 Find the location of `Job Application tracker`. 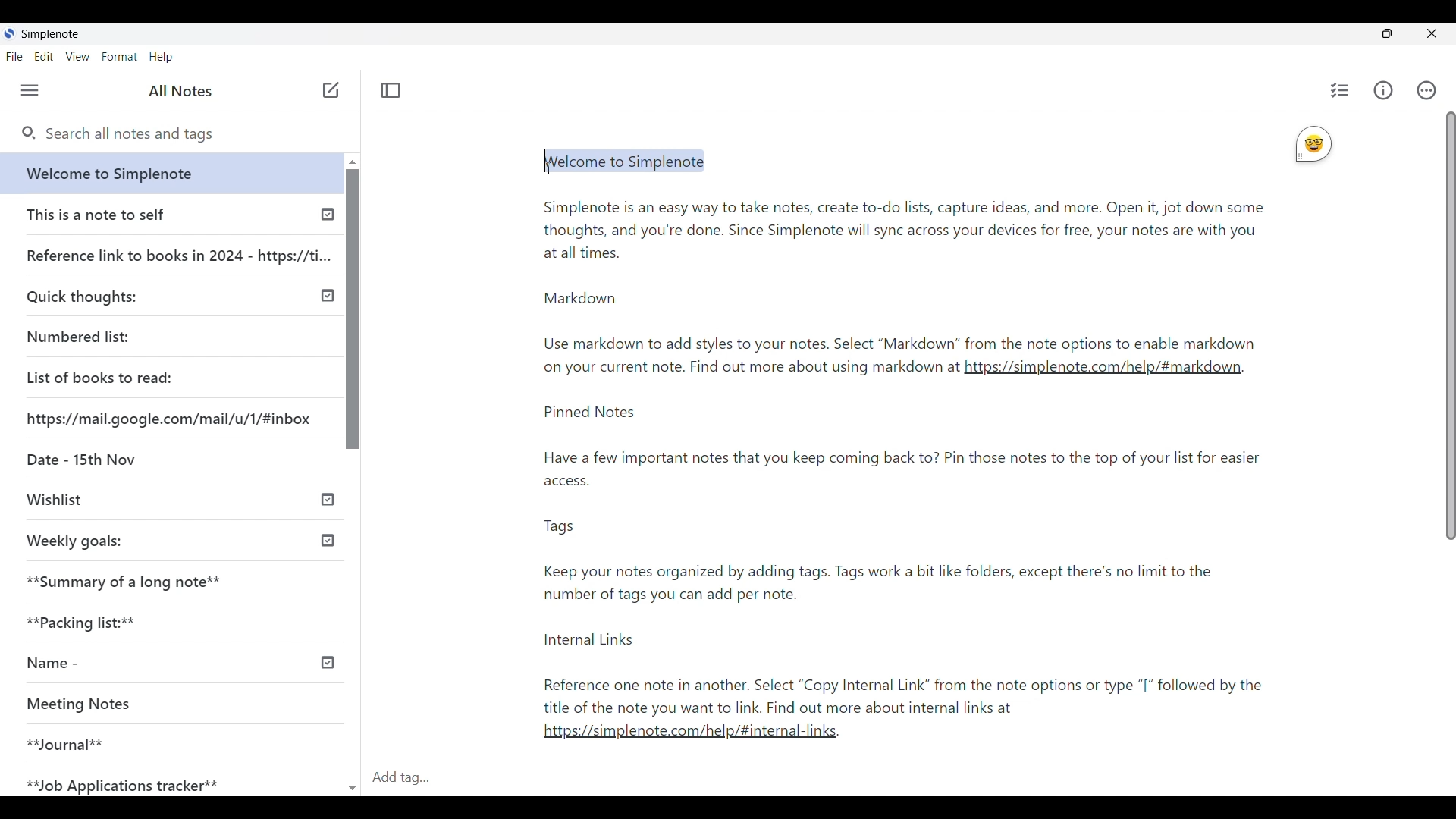

Job Application tracker is located at coordinates (119, 781).